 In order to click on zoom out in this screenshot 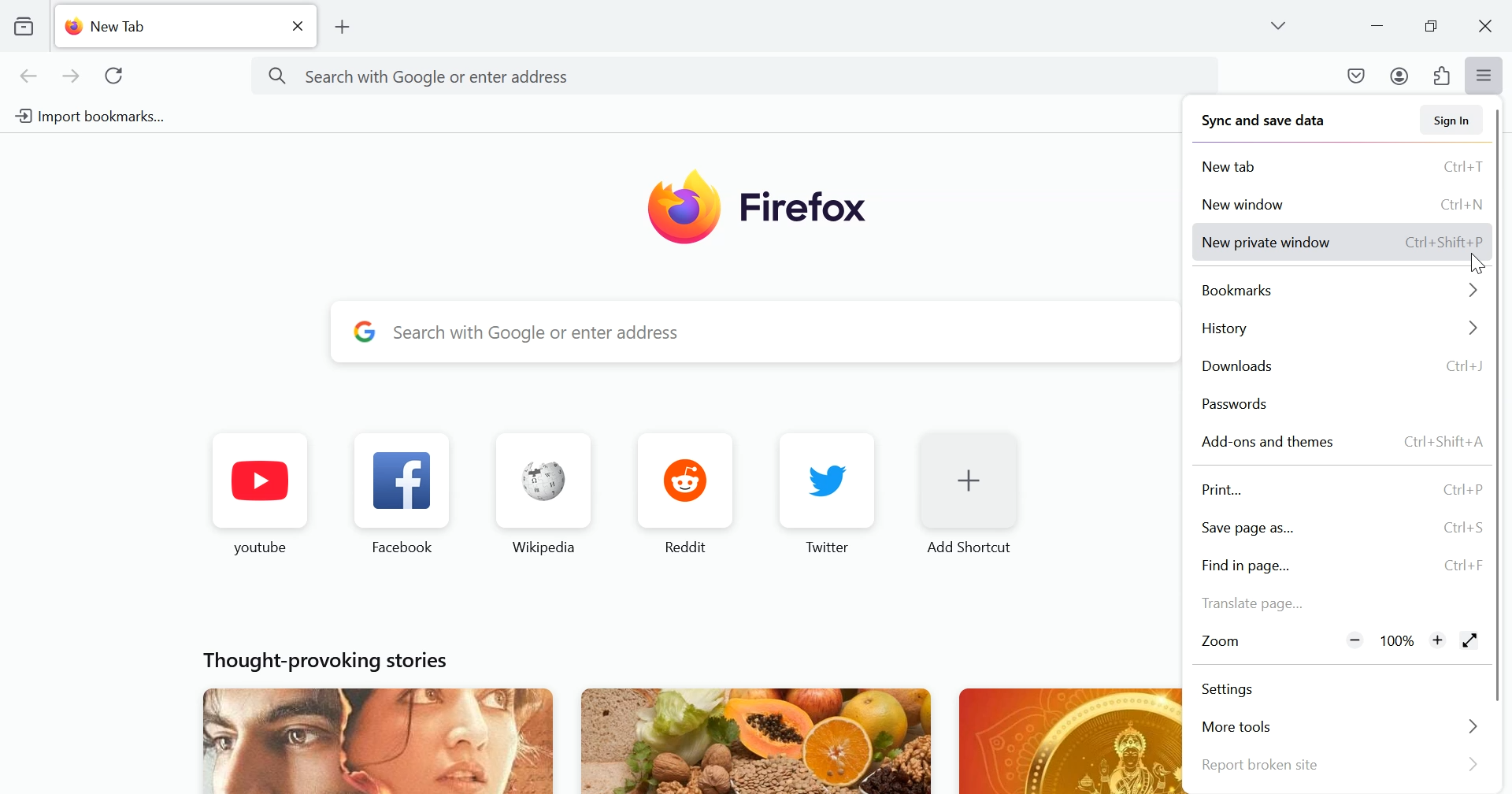, I will do `click(1356, 639)`.